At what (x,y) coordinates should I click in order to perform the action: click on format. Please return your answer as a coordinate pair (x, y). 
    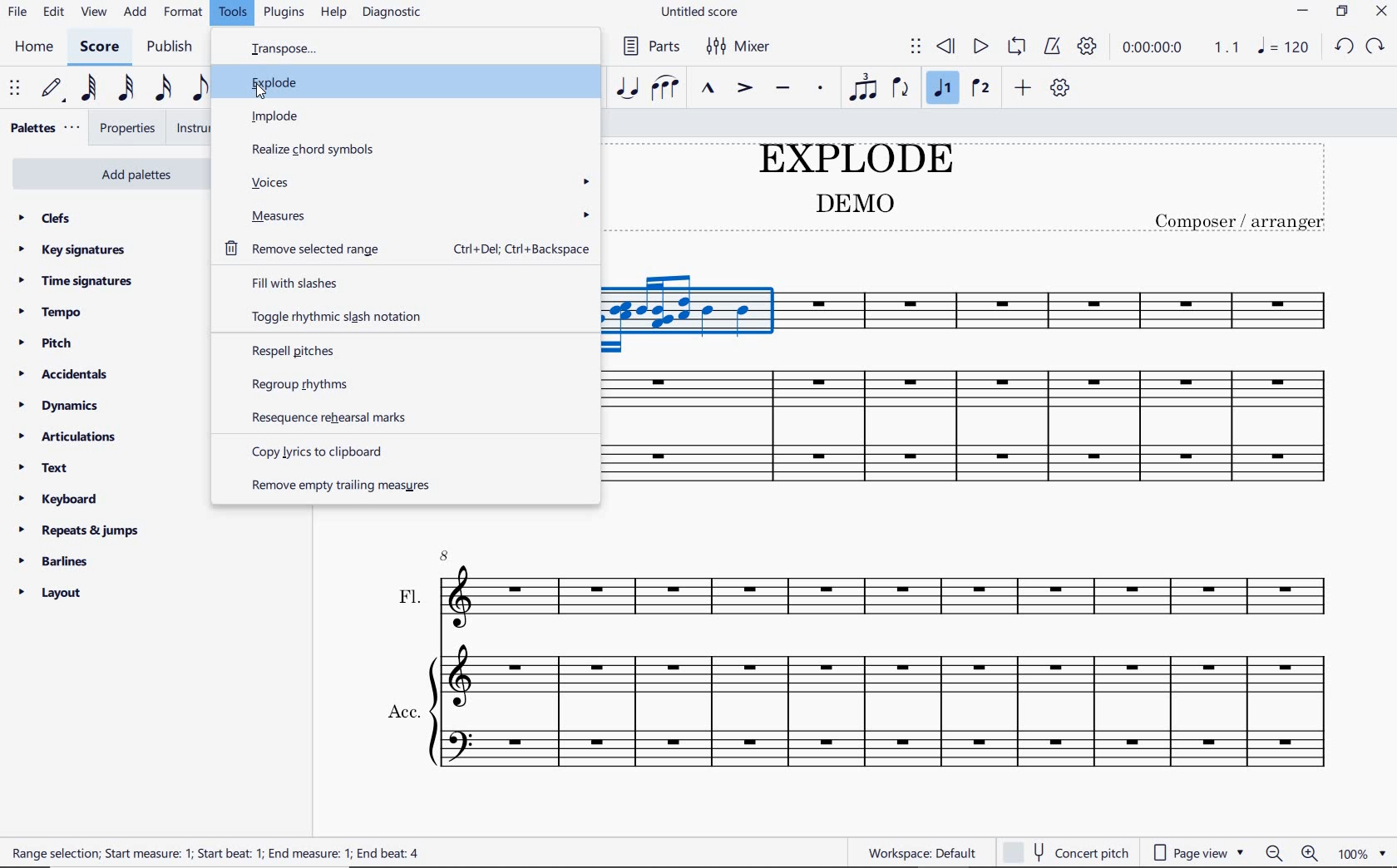
    Looking at the image, I should click on (183, 13).